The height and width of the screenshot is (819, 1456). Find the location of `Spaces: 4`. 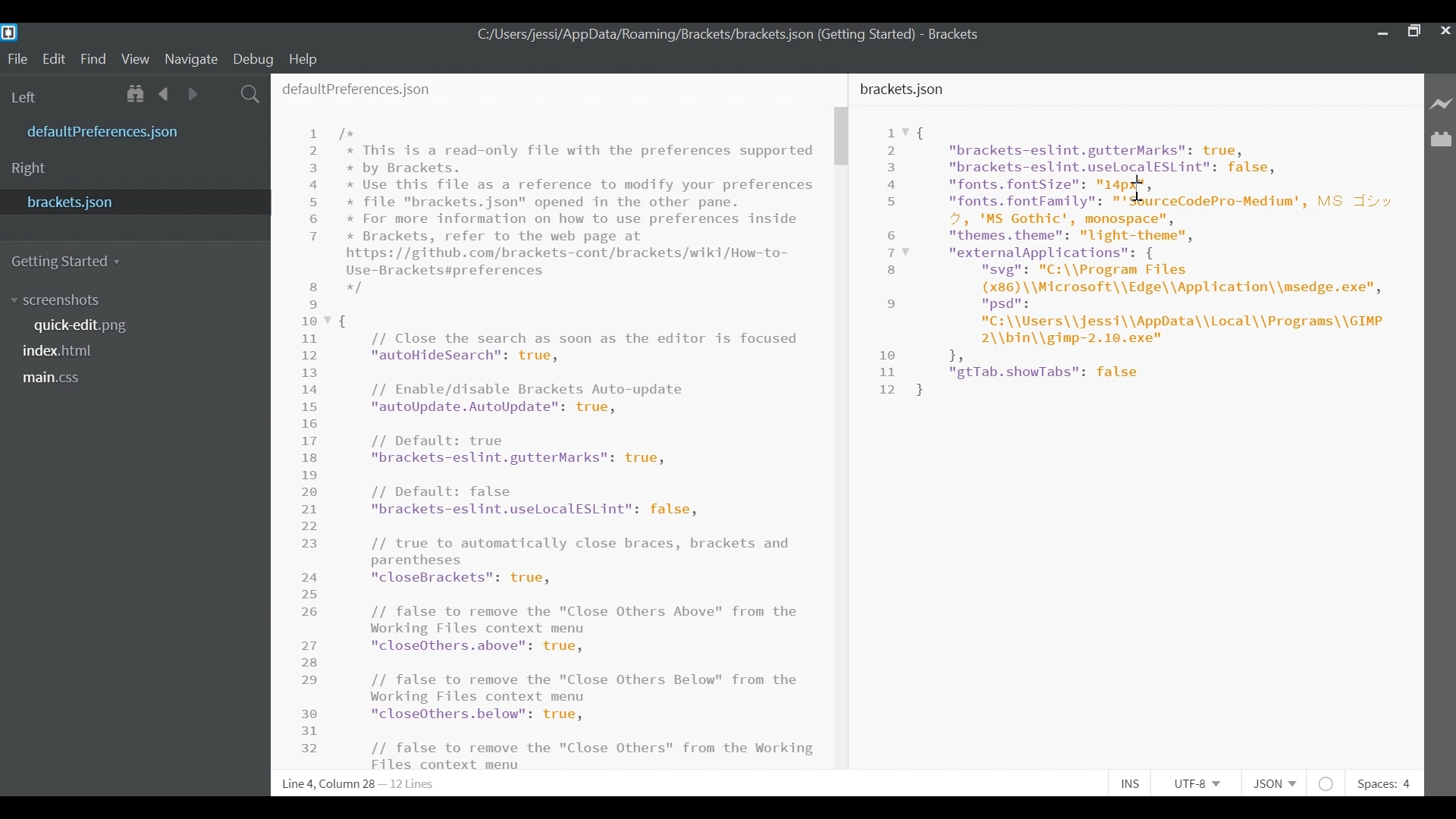

Spaces: 4 is located at coordinates (1389, 780).